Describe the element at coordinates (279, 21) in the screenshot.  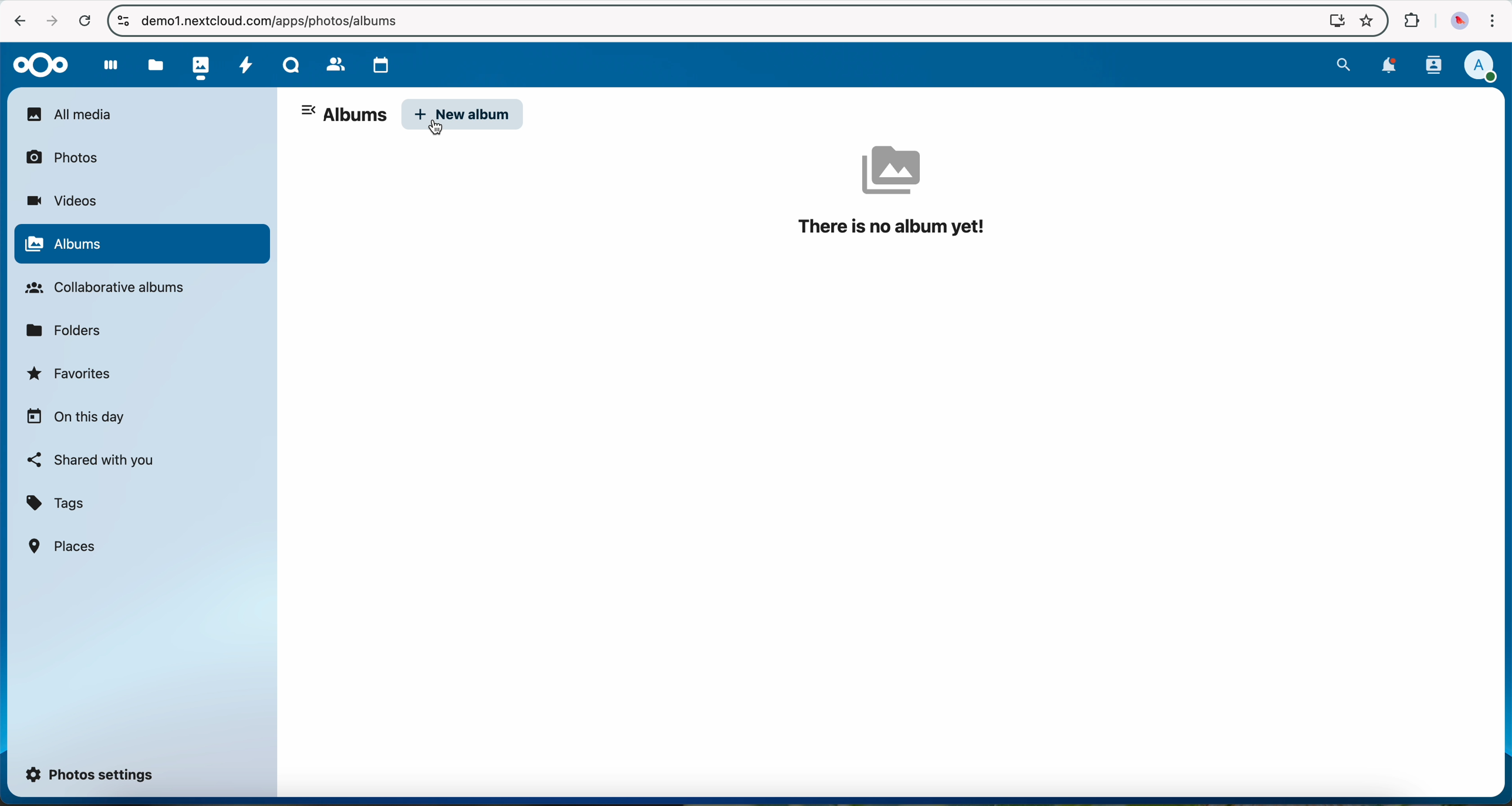
I see `url` at that location.